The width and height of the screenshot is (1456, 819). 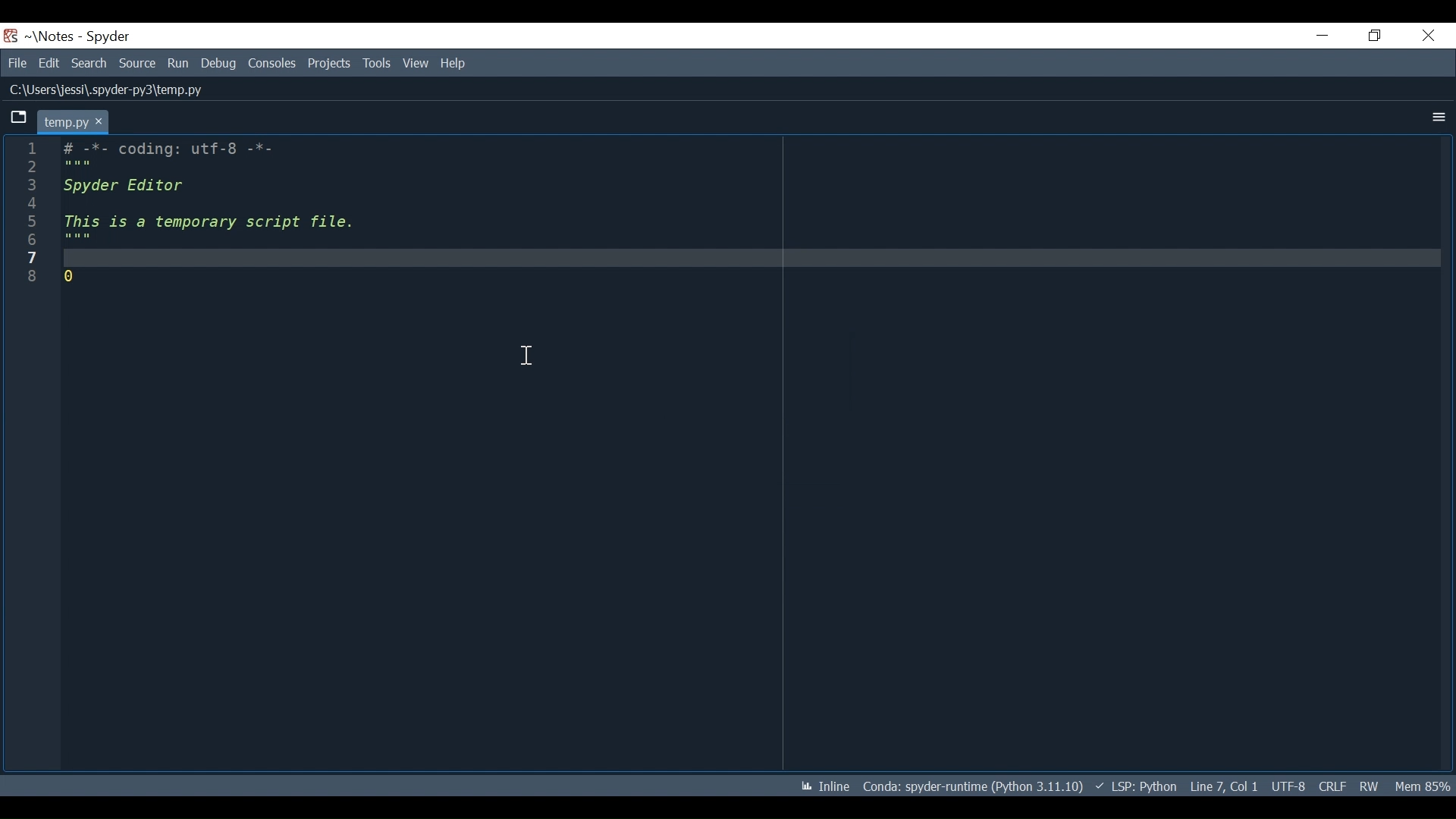 What do you see at coordinates (11, 36) in the screenshot?
I see `Spyder Desktop Icon` at bounding box center [11, 36].